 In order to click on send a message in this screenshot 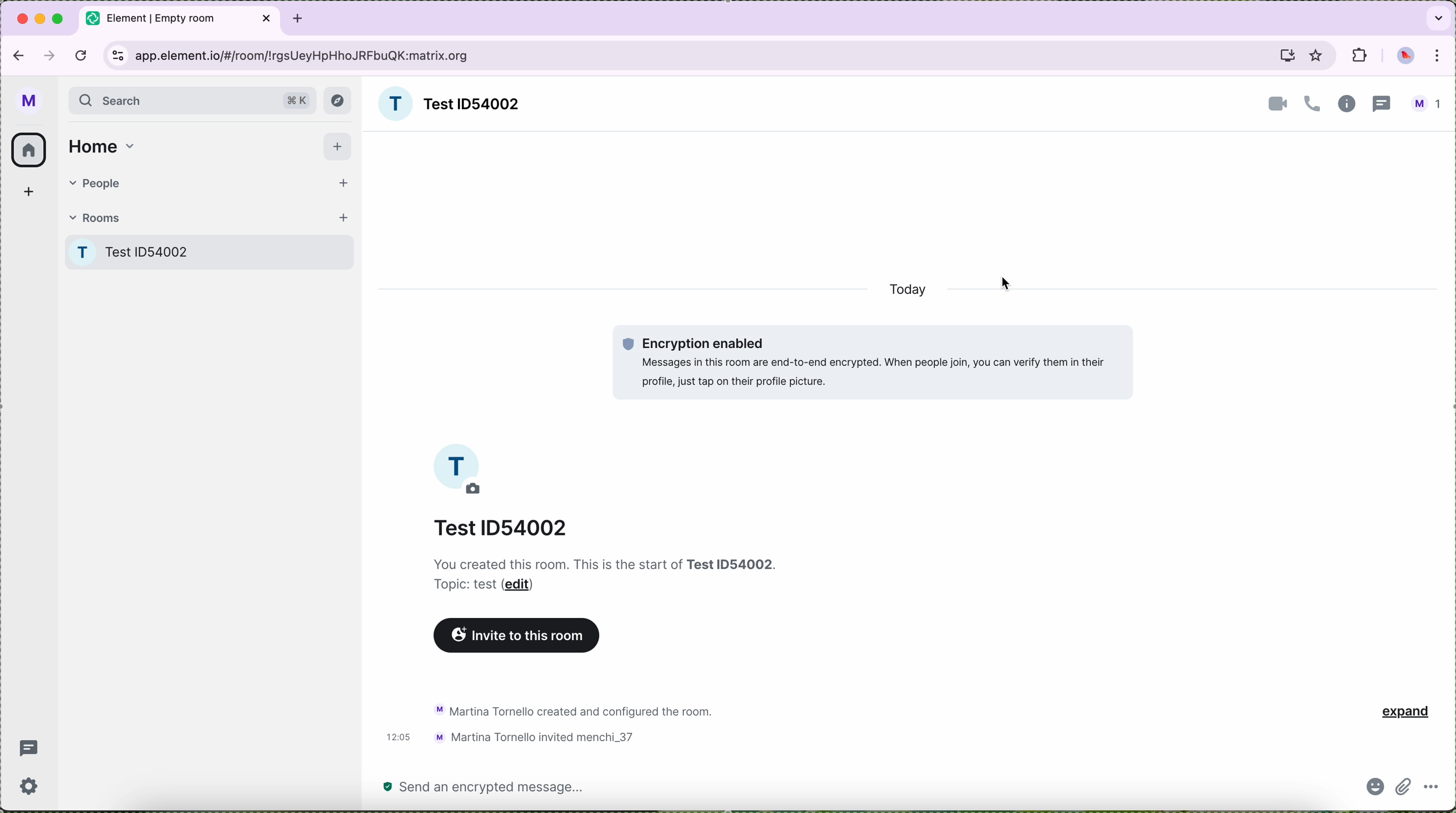, I will do `click(537, 788)`.